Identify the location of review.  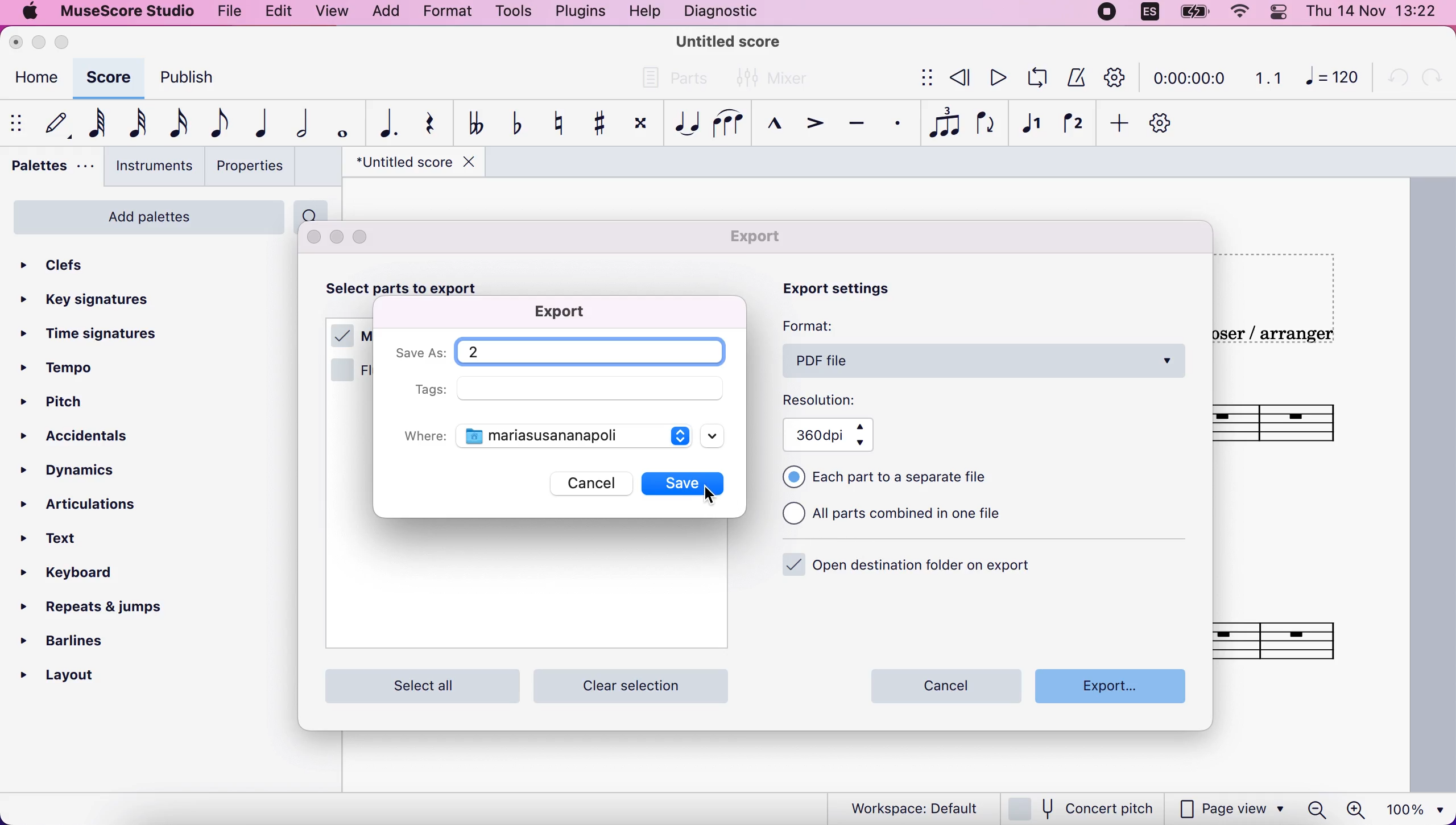
(958, 79).